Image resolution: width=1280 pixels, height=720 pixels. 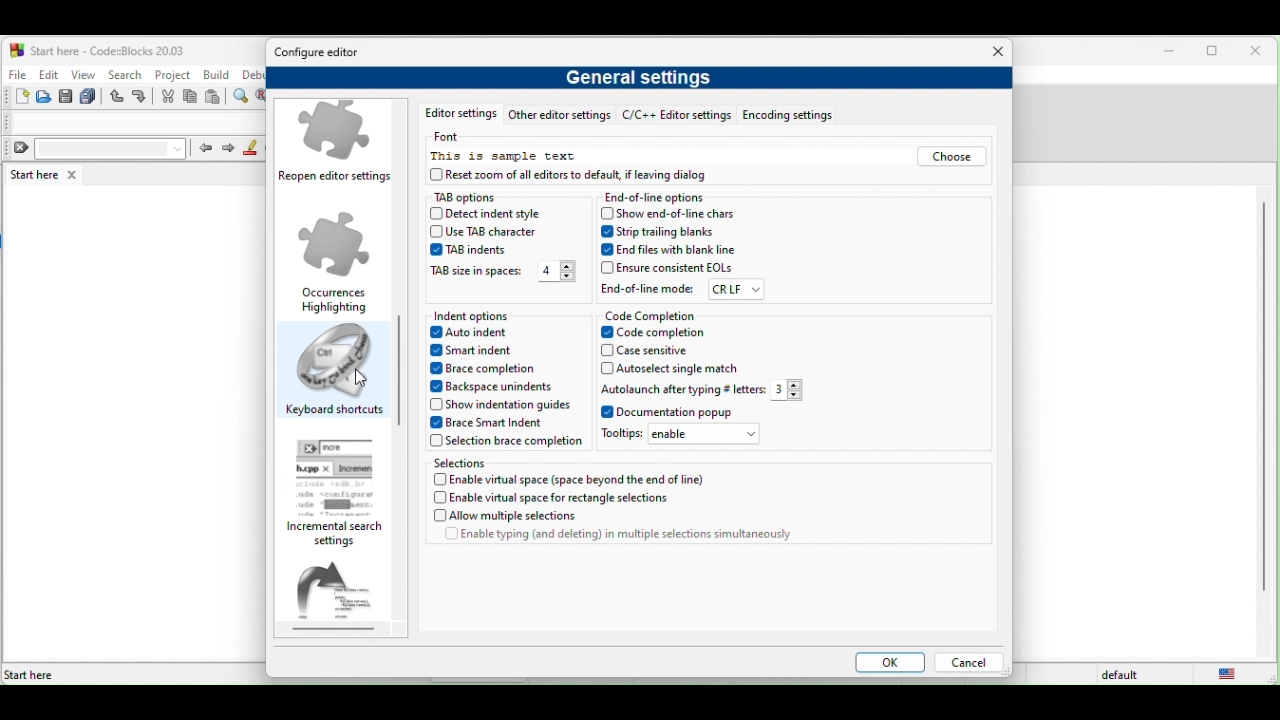 I want to click on cancel, so click(x=968, y=664).